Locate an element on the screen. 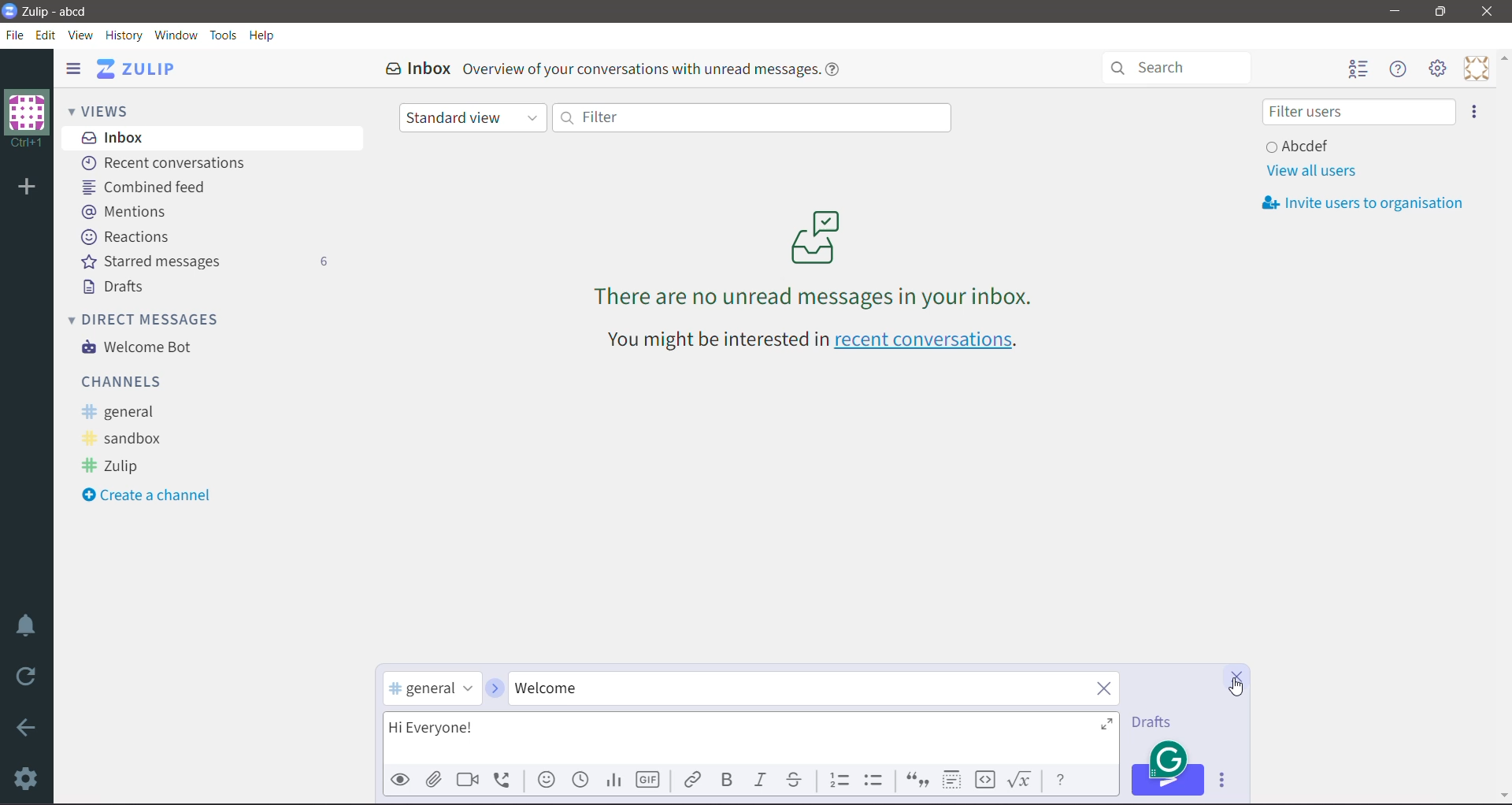 The height and width of the screenshot is (805, 1512). Add Poll is located at coordinates (613, 780).